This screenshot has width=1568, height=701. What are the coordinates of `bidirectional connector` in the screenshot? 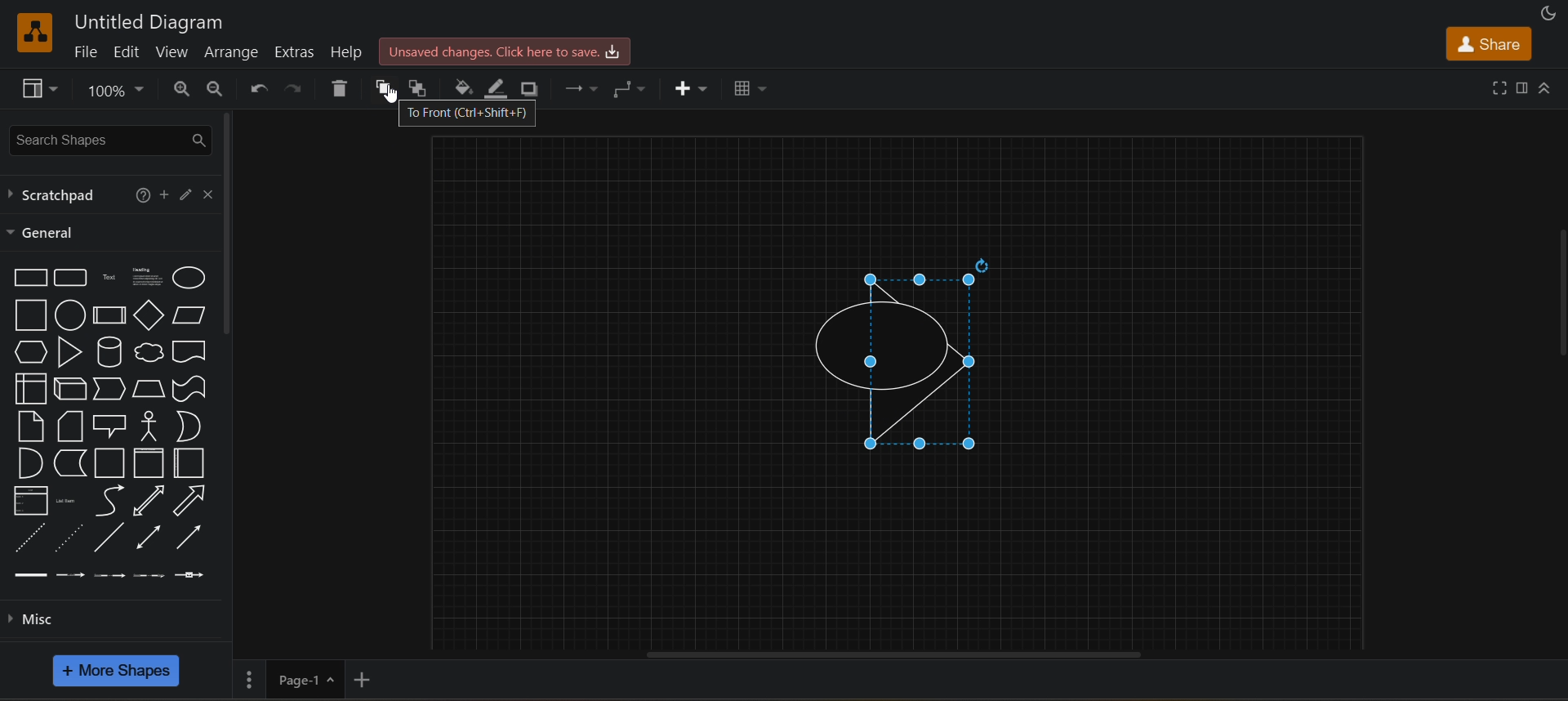 It's located at (148, 536).